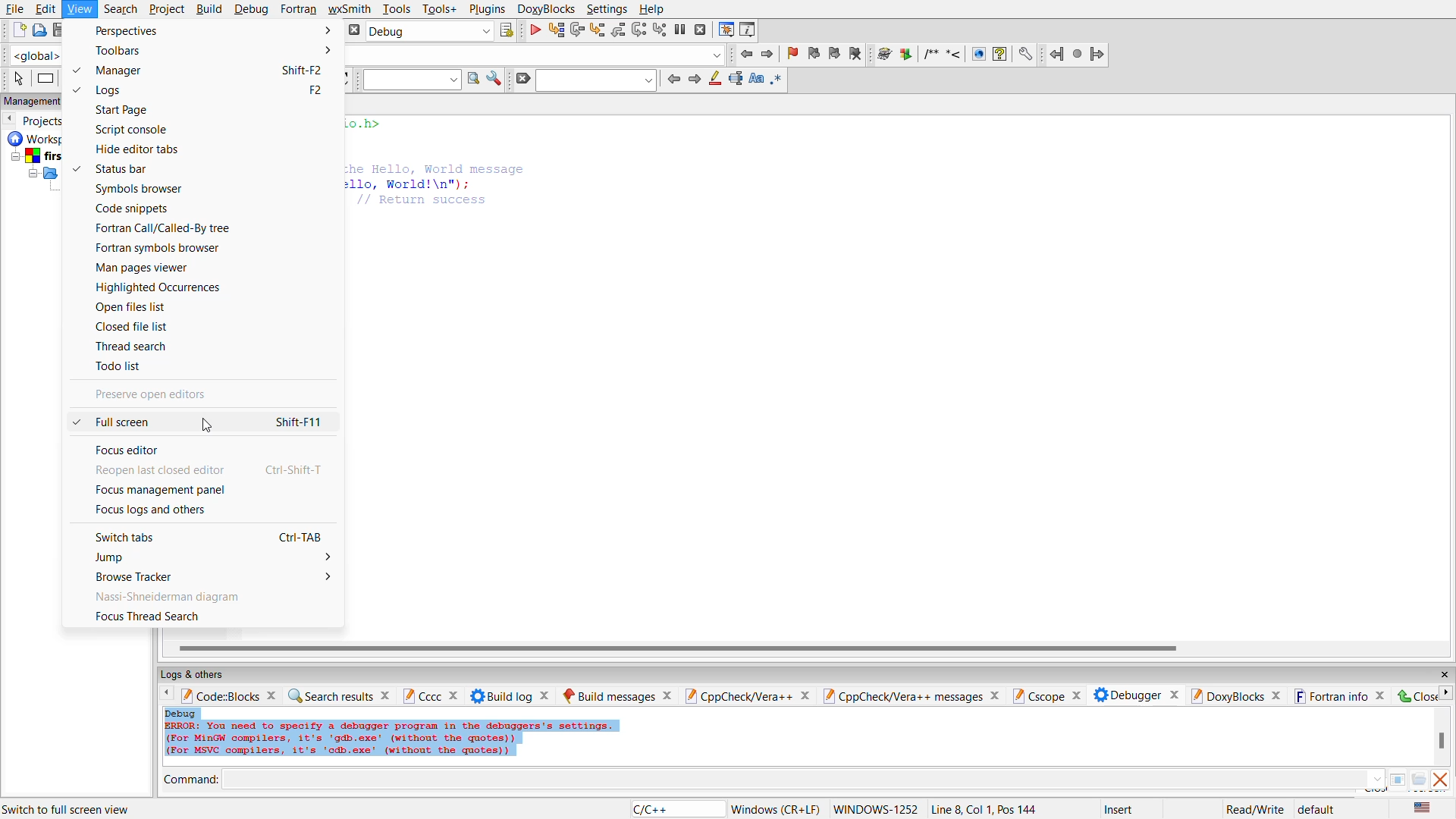  Describe the element at coordinates (534, 30) in the screenshot. I see `debug/conitnue` at that location.